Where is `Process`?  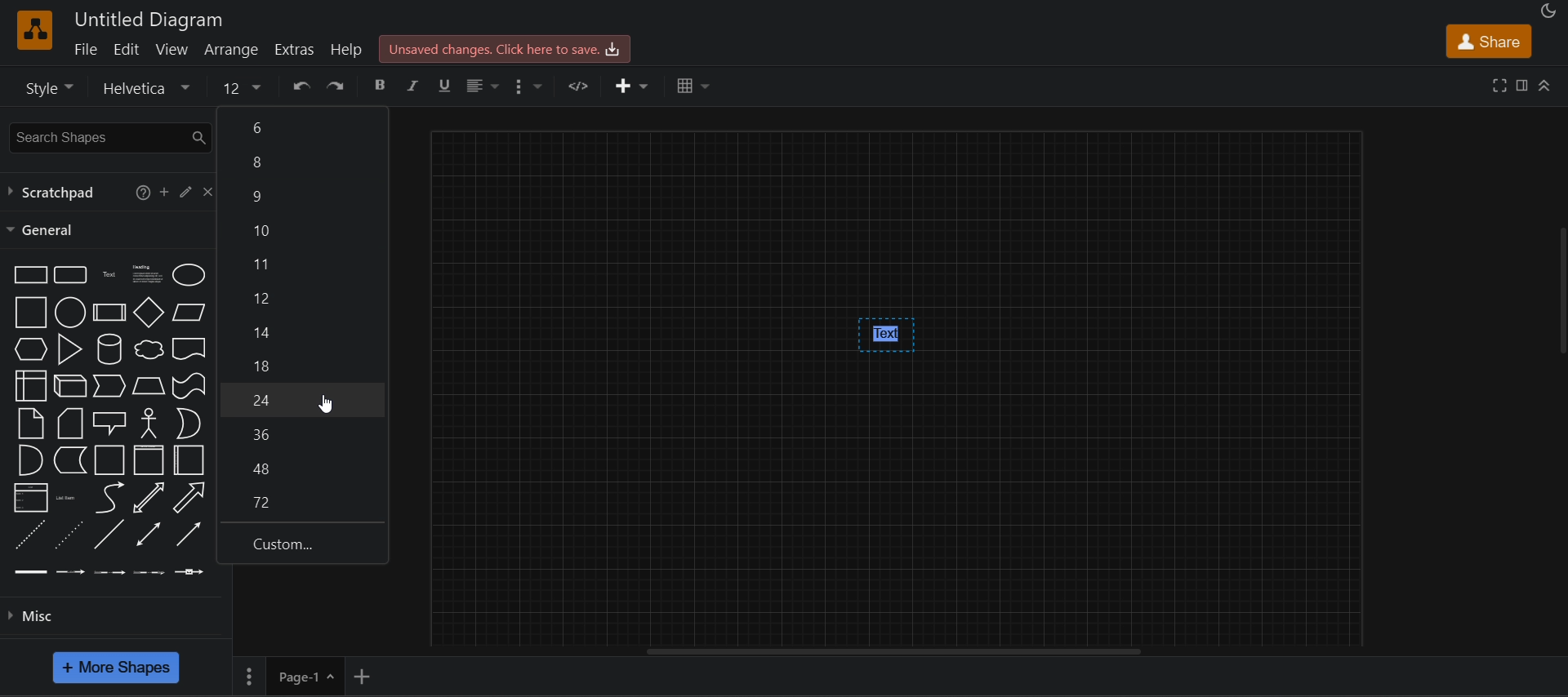 Process is located at coordinates (109, 313).